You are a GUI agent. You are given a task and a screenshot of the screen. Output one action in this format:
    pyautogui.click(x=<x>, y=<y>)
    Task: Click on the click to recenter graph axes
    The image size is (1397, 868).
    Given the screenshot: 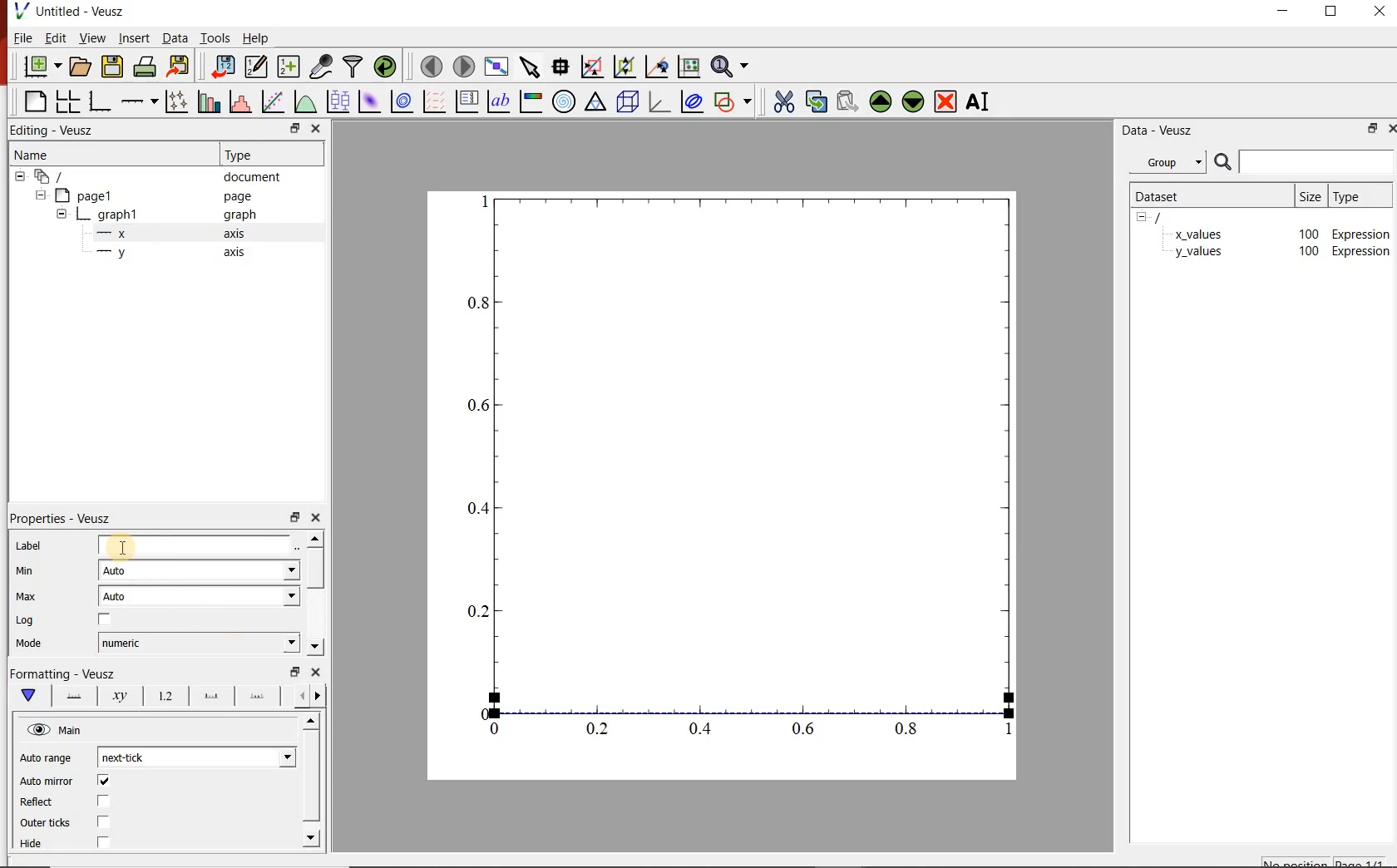 What is the action you would take?
    pyautogui.click(x=656, y=67)
    